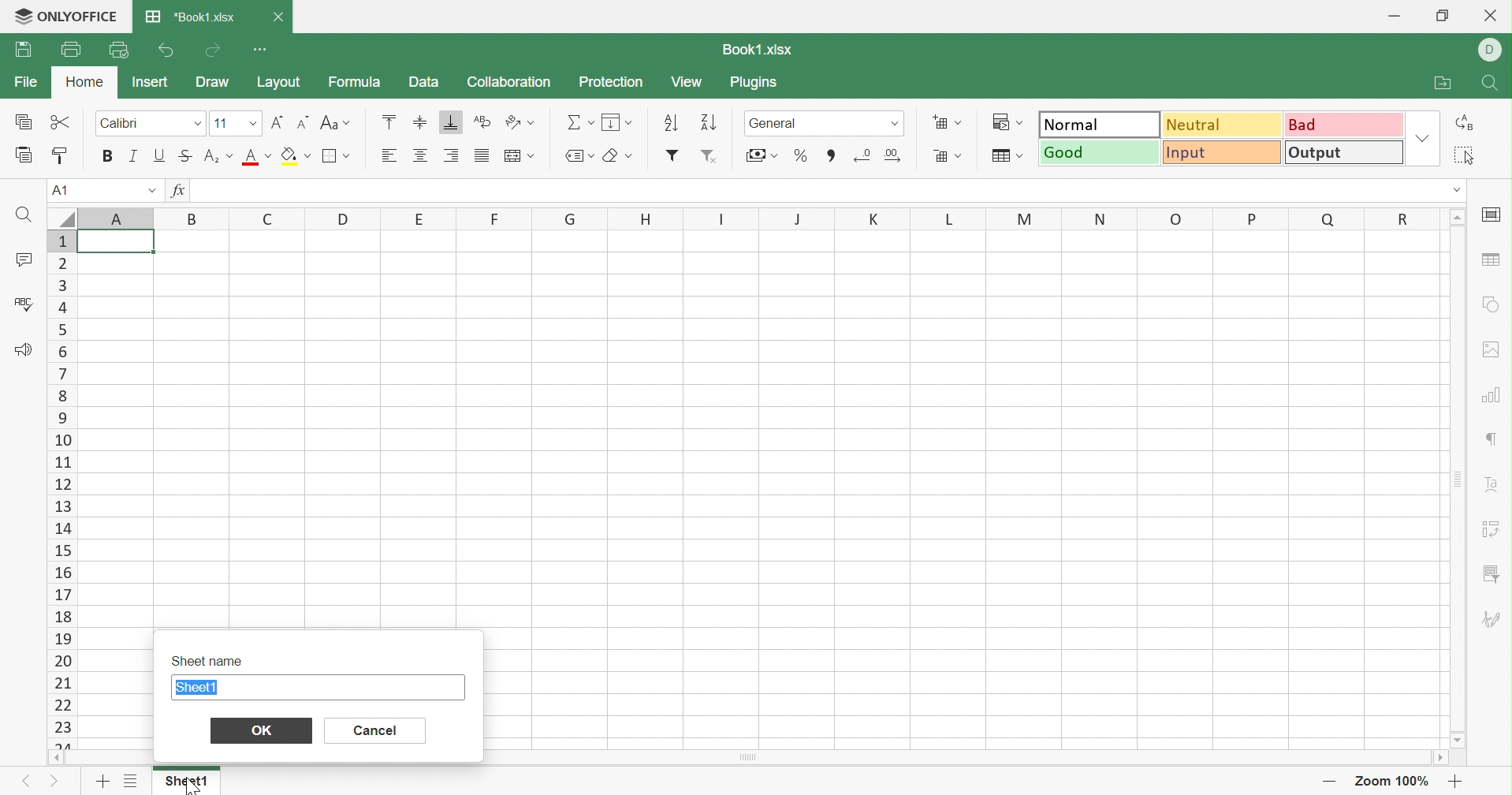 This screenshot has height=795, width=1512. Describe the element at coordinates (262, 731) in the screenshot. I see `OK` at that location.